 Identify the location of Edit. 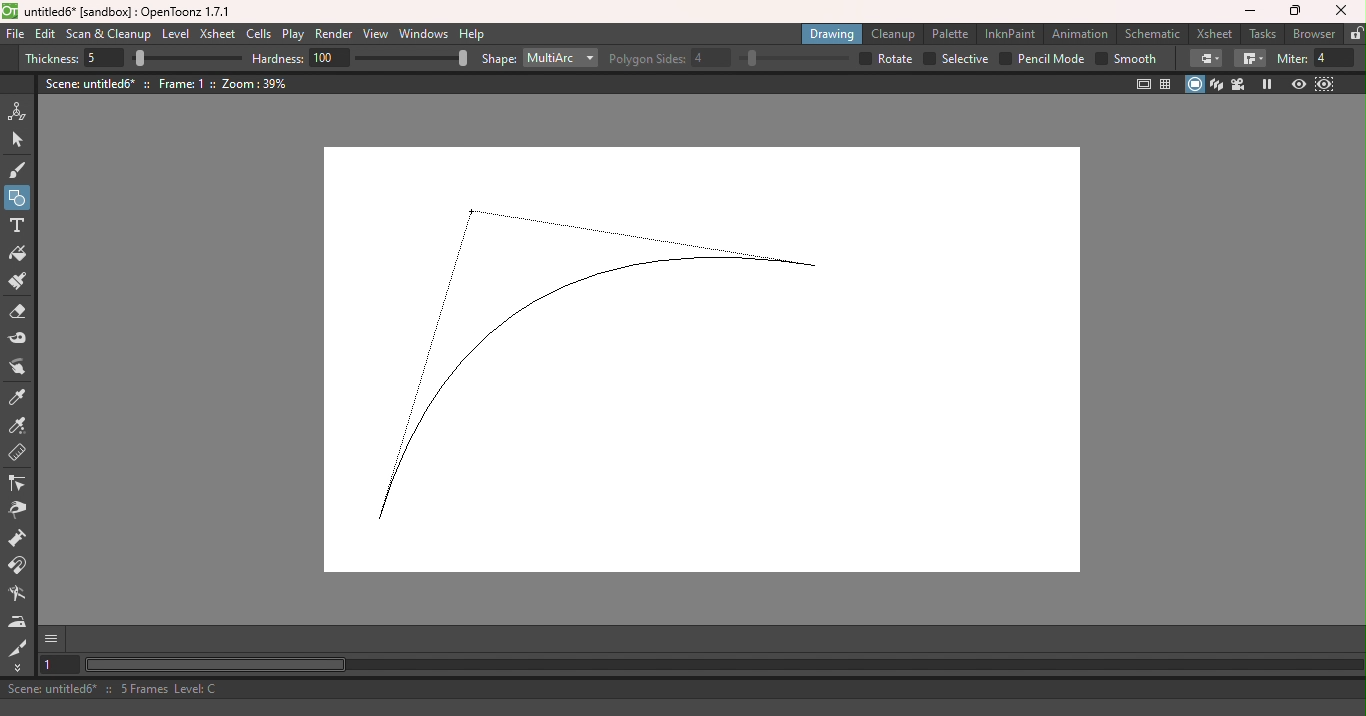
(45, 36).